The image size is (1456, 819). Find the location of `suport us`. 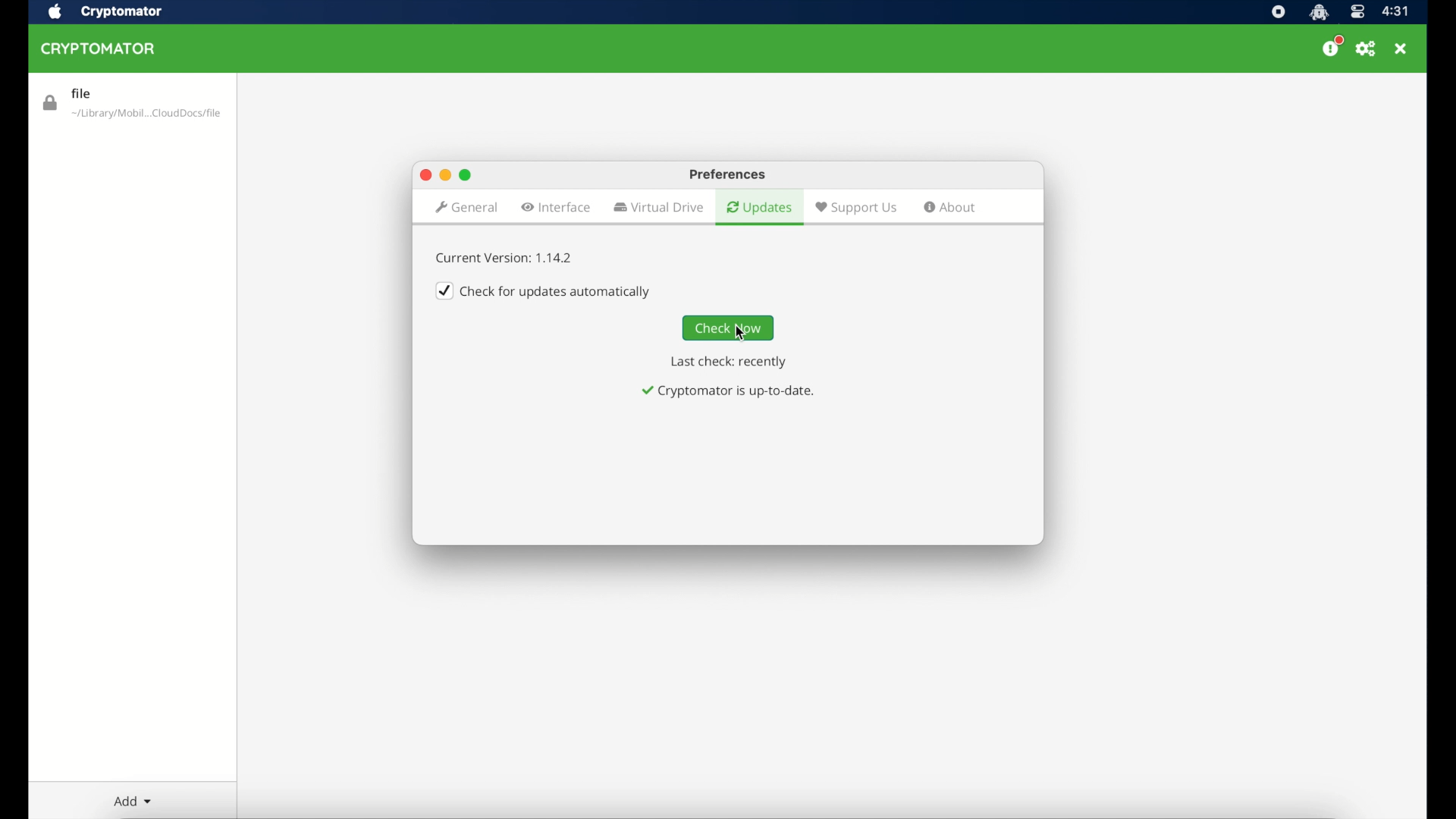

suport us is located at coordinates (856, 207).